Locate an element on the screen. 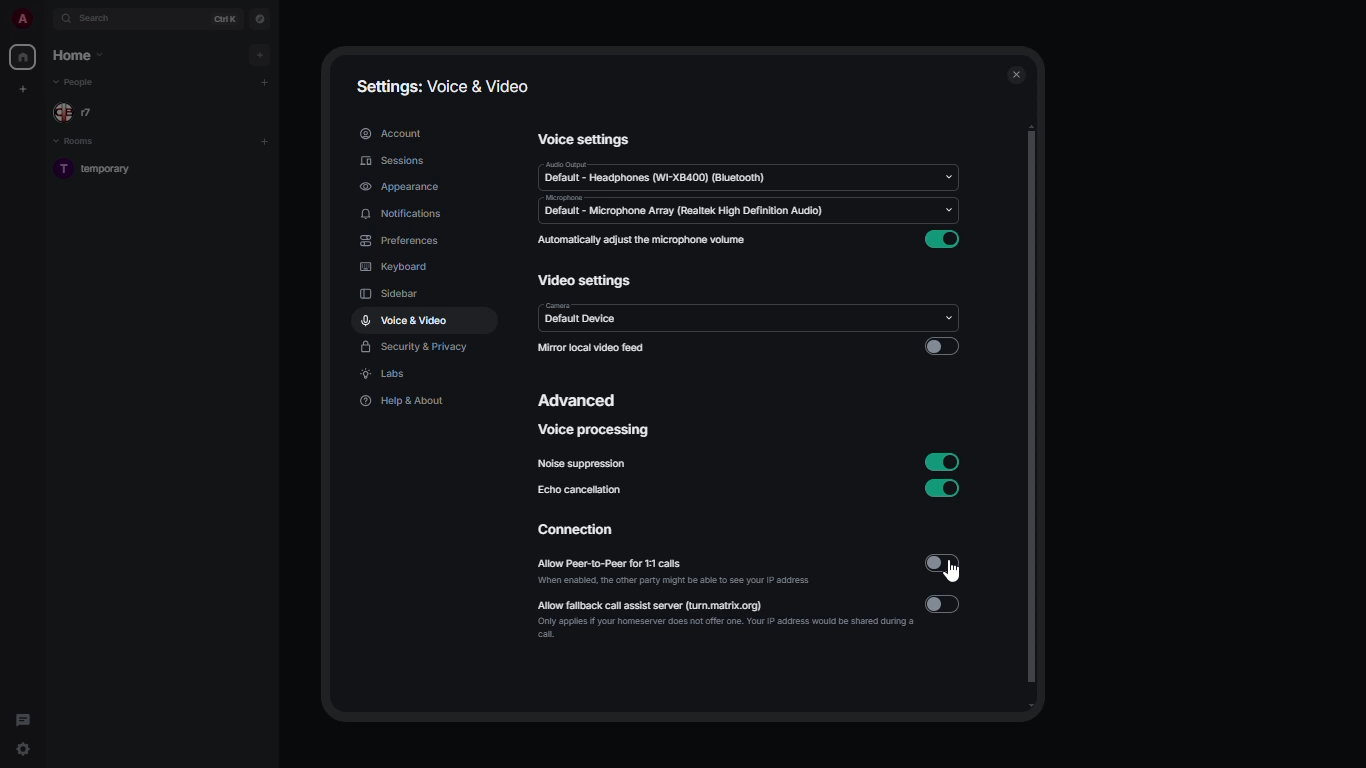  audio default is located at coordinates (655, 173).